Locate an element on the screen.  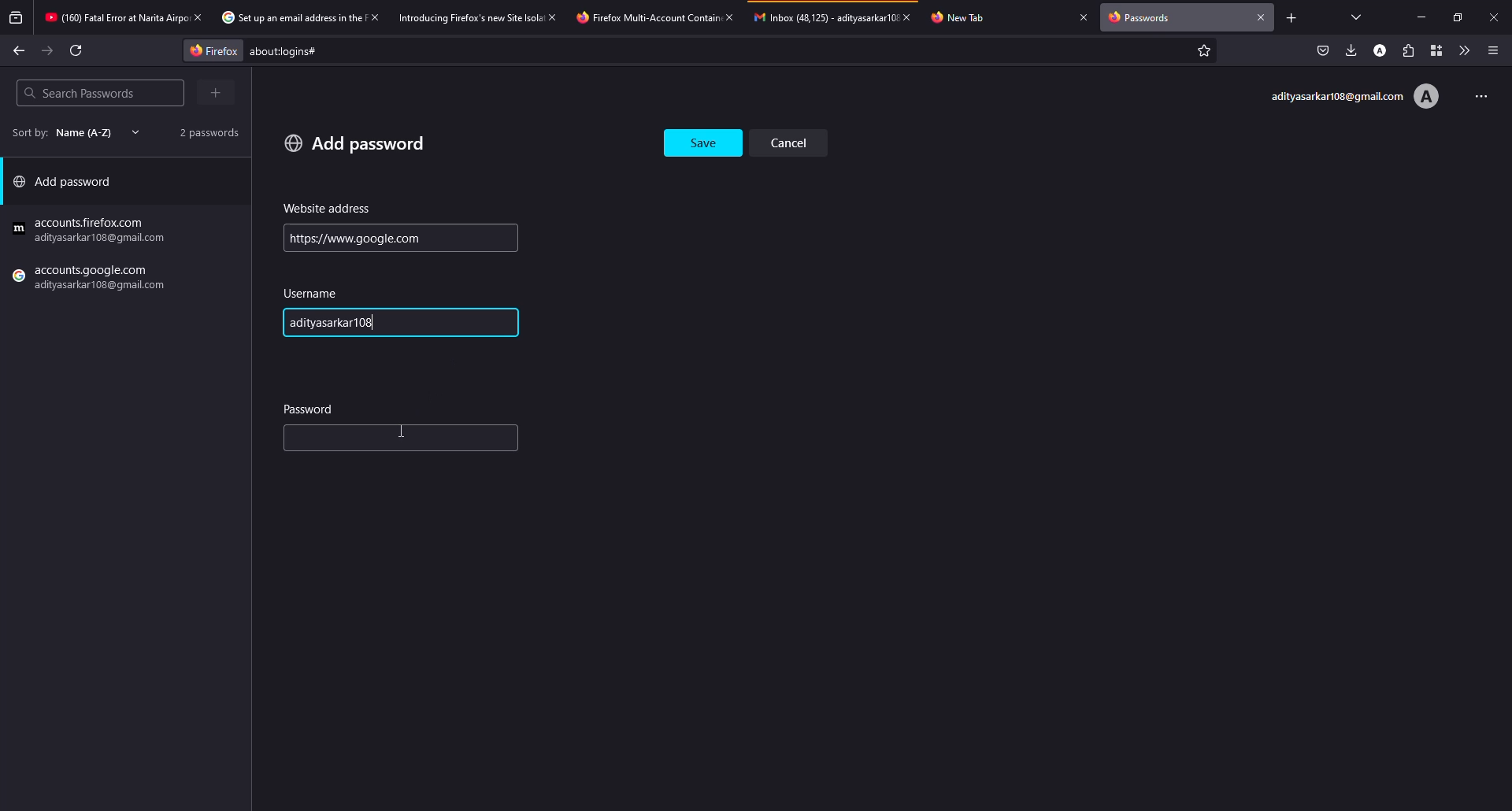
save to pocket is located at coordinates (1323, 50).